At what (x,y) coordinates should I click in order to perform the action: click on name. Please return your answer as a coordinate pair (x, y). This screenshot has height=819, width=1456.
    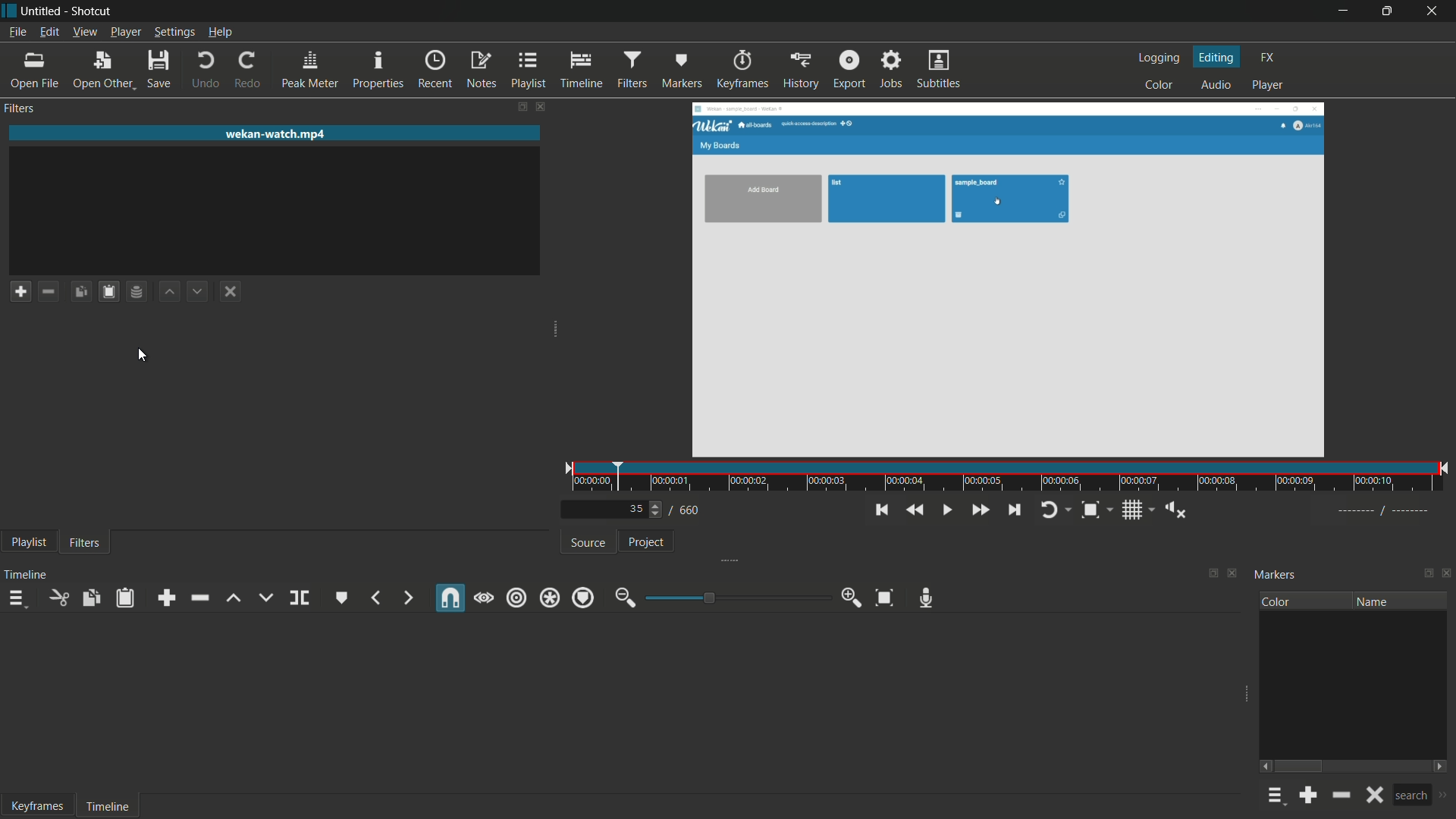
    Looking at the image, I should click on (1372, 600).